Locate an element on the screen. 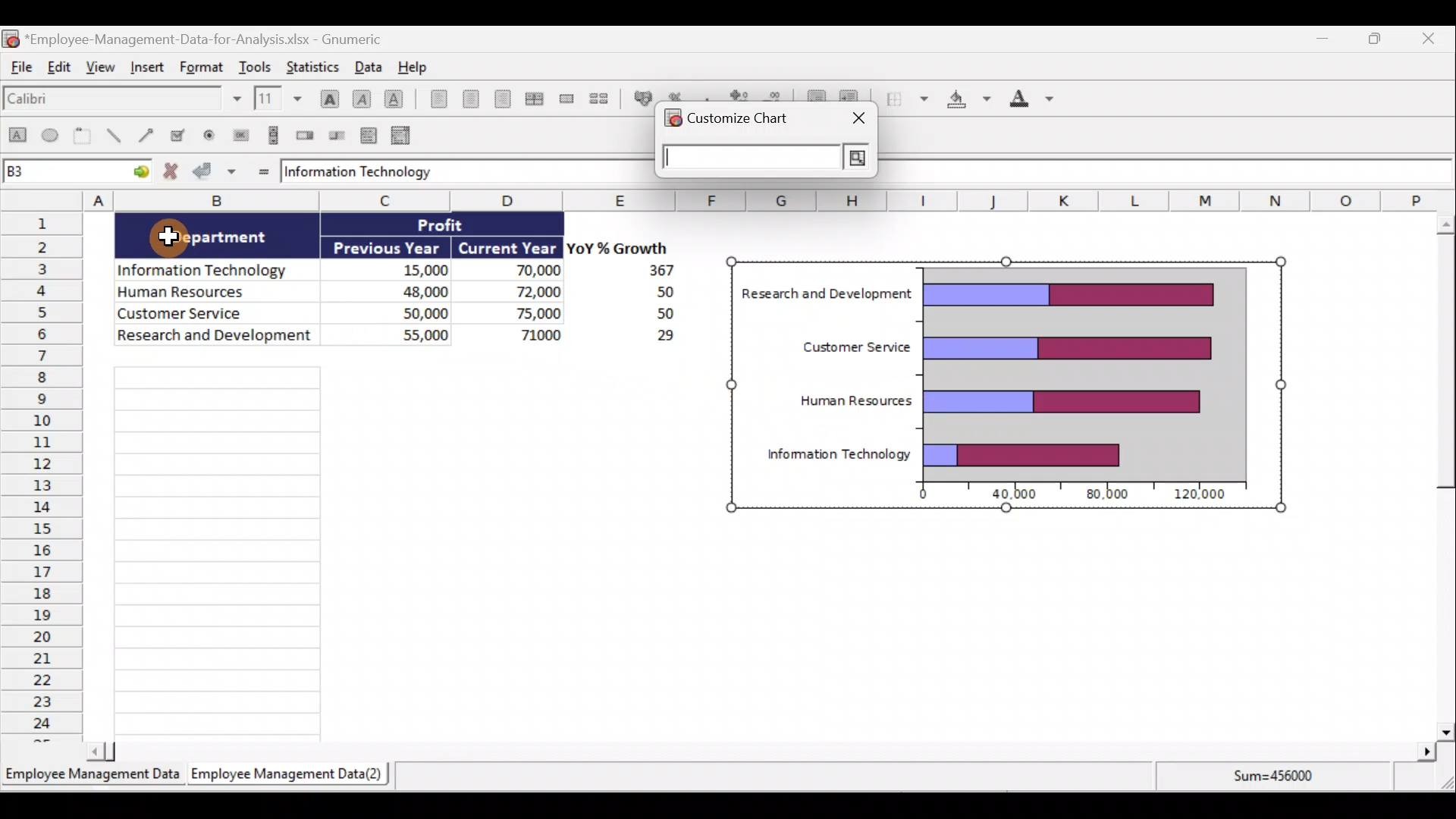 The height and width of the screenshot is (819, 1456). Sheet 2 is located at coordinates (290, 774).